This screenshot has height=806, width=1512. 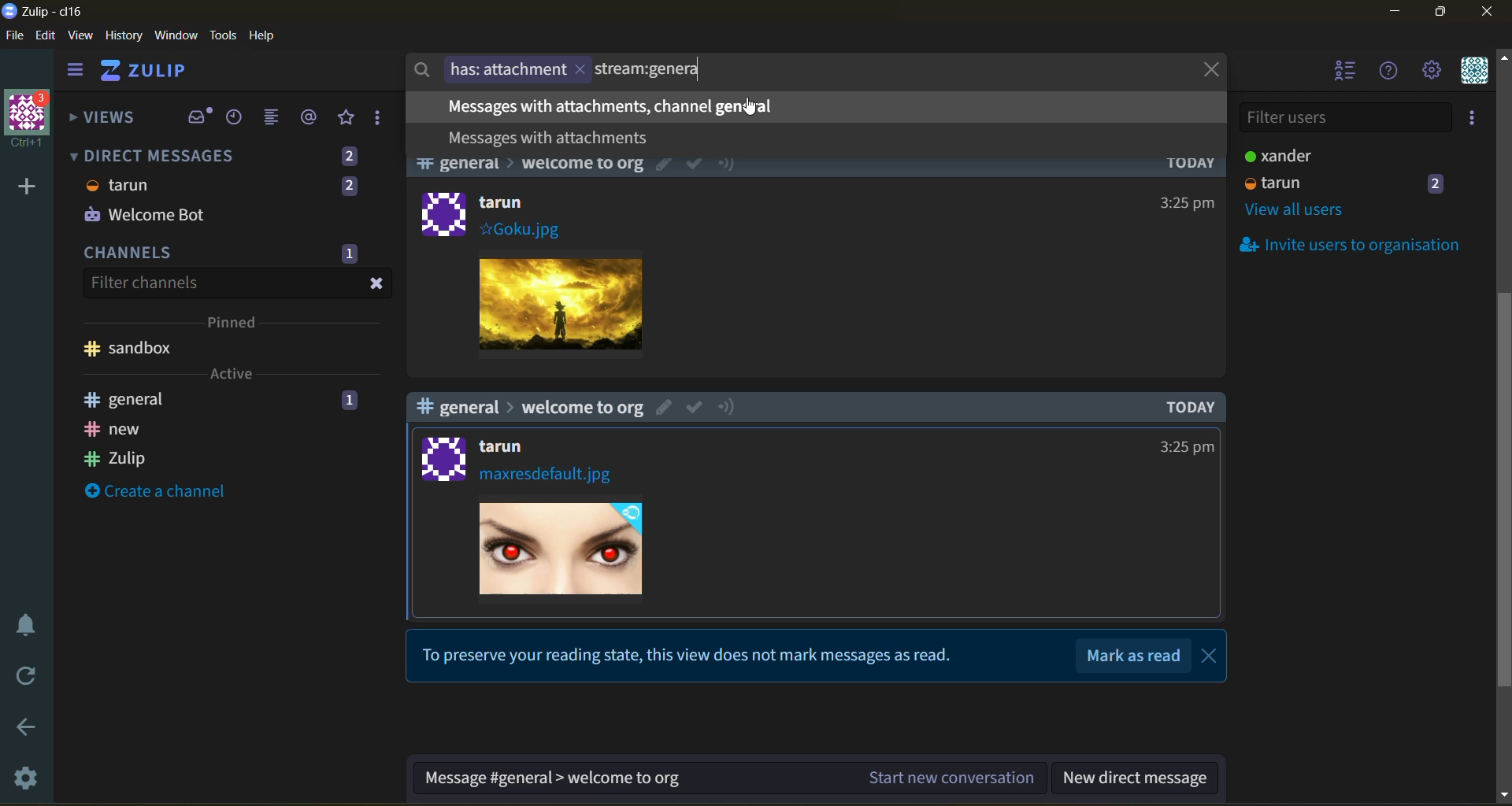 What do you see at coordinates (1185, 446) in the screenshot?
I see `3:25pm` at bounding box center [1185, 446].